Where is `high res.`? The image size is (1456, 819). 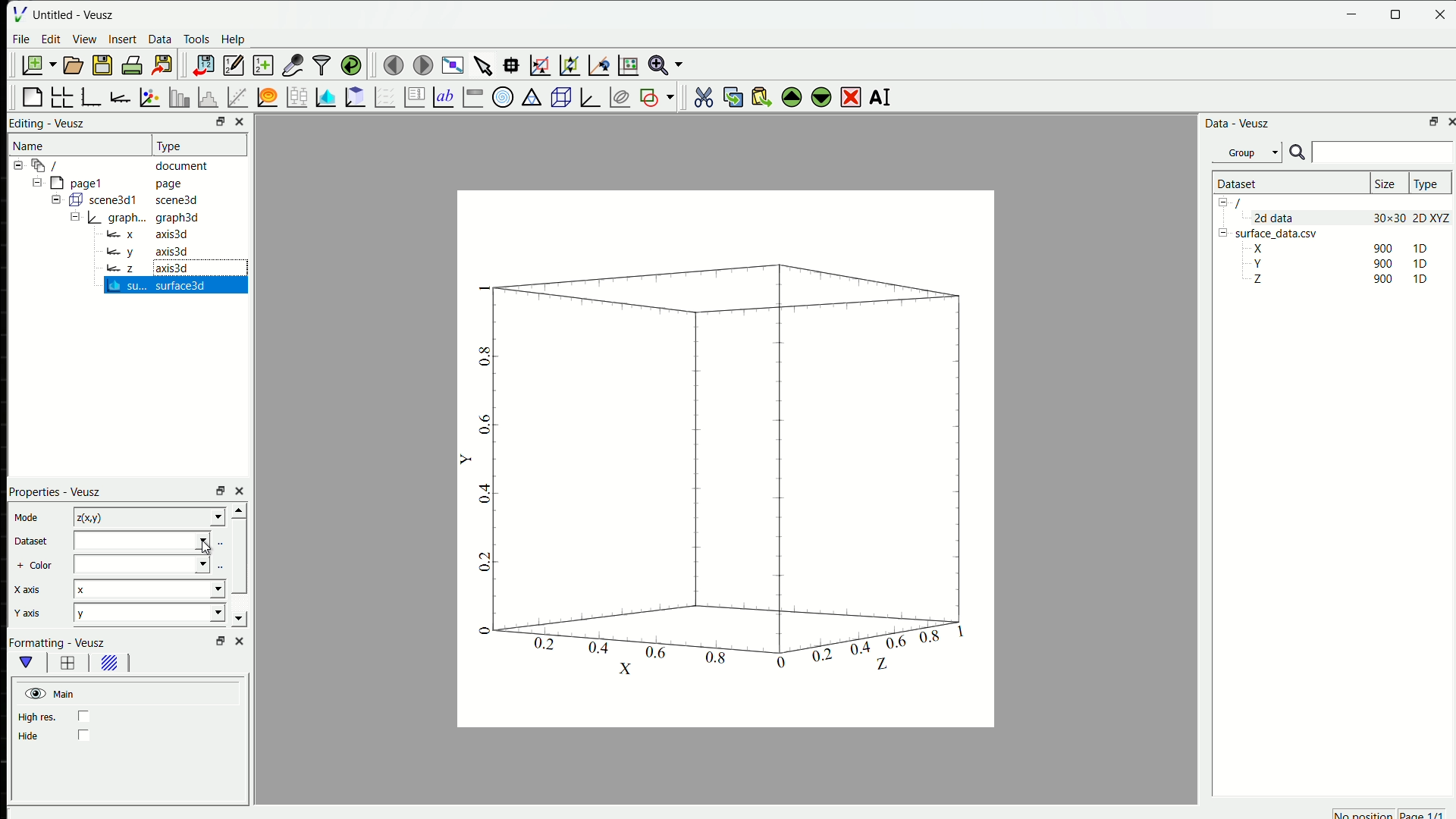 high res. is located at coordinates (38, 718).